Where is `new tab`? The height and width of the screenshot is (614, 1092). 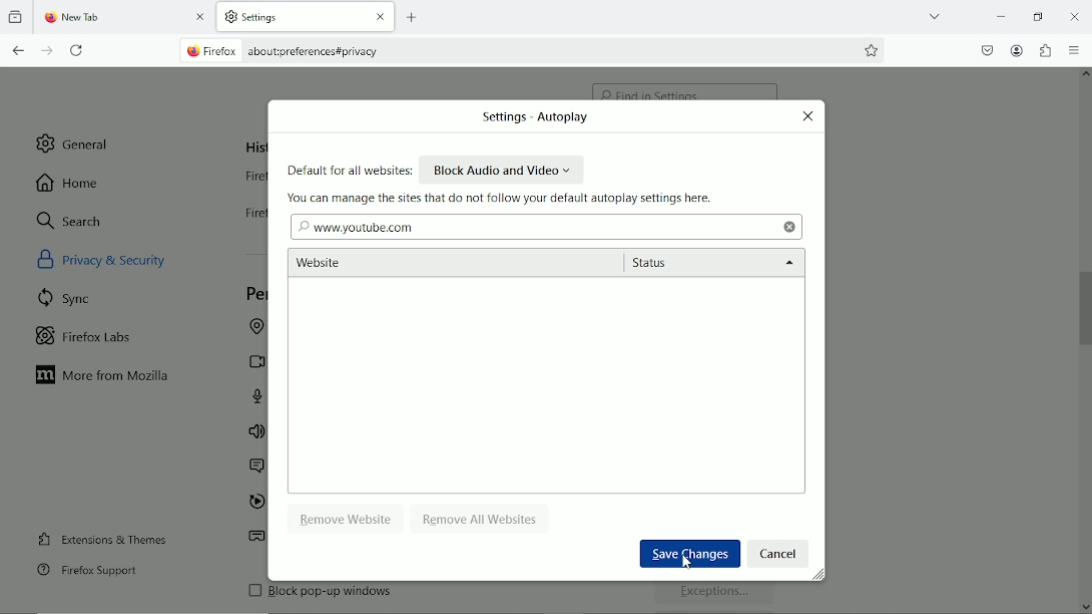
new tab is located at coordinates (97, 18).